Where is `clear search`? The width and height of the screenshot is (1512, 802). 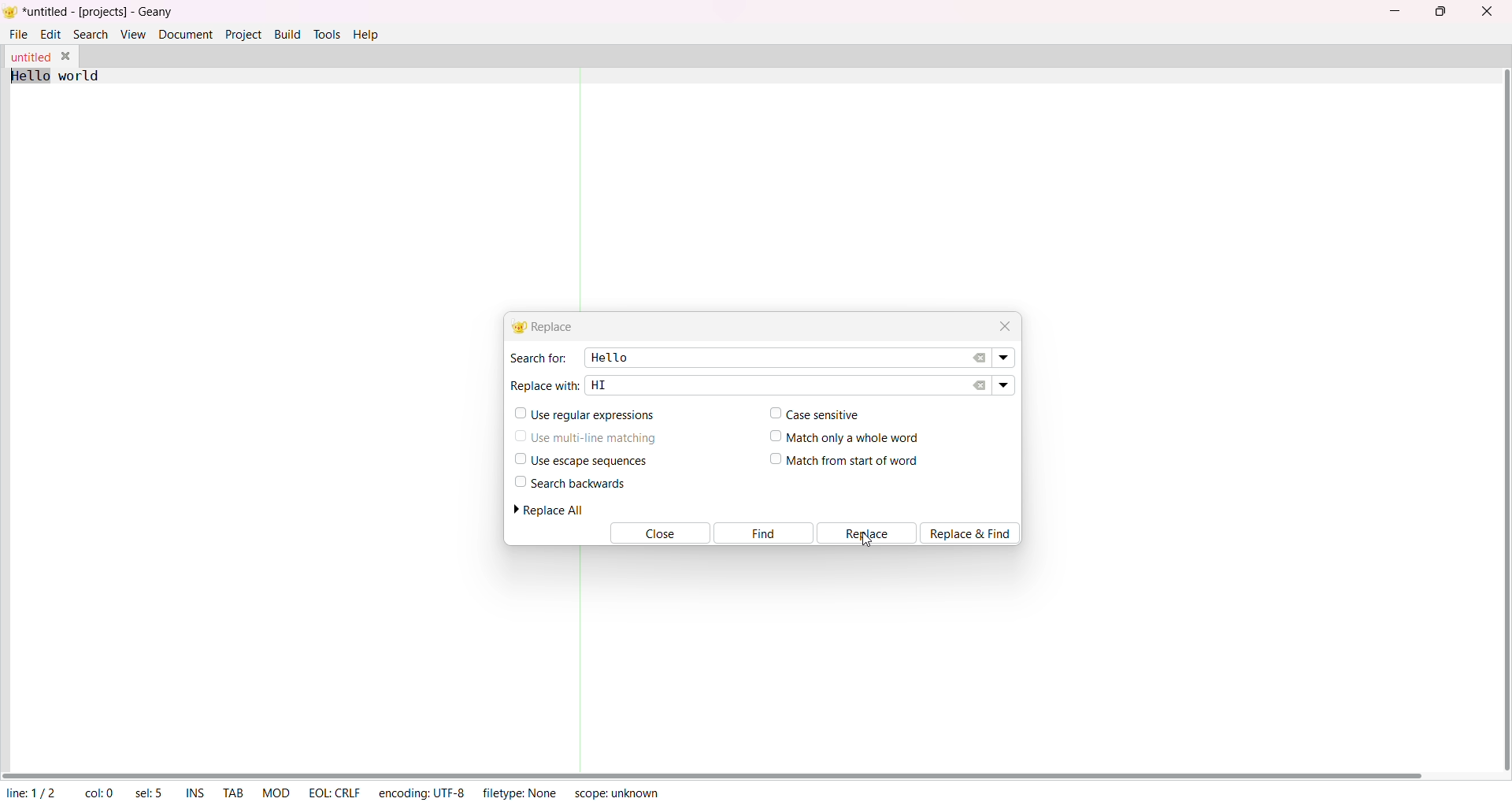
clear search is located at coordinates (980, 358).